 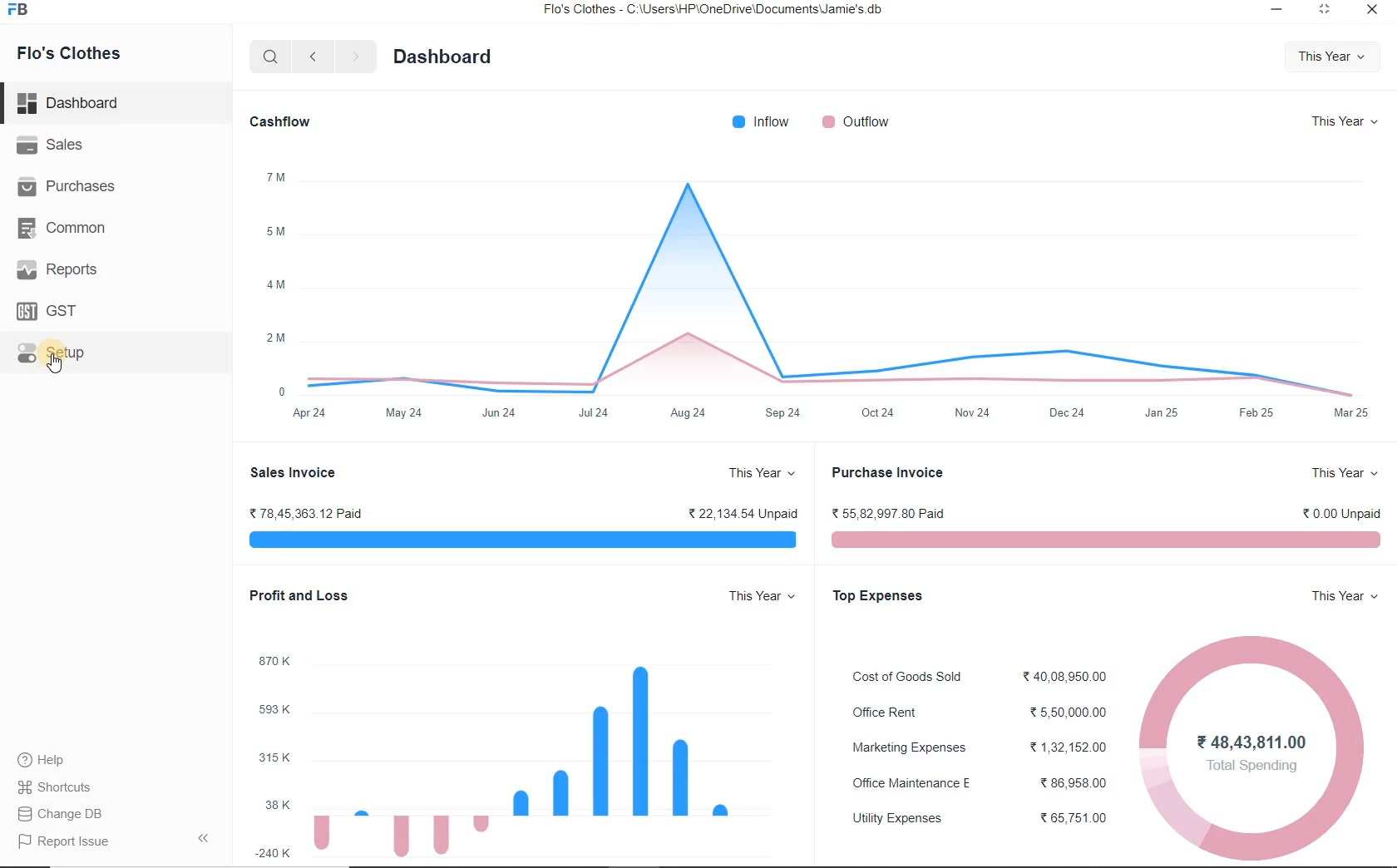 I want to click on -240 K, so click(x=274, y=852).